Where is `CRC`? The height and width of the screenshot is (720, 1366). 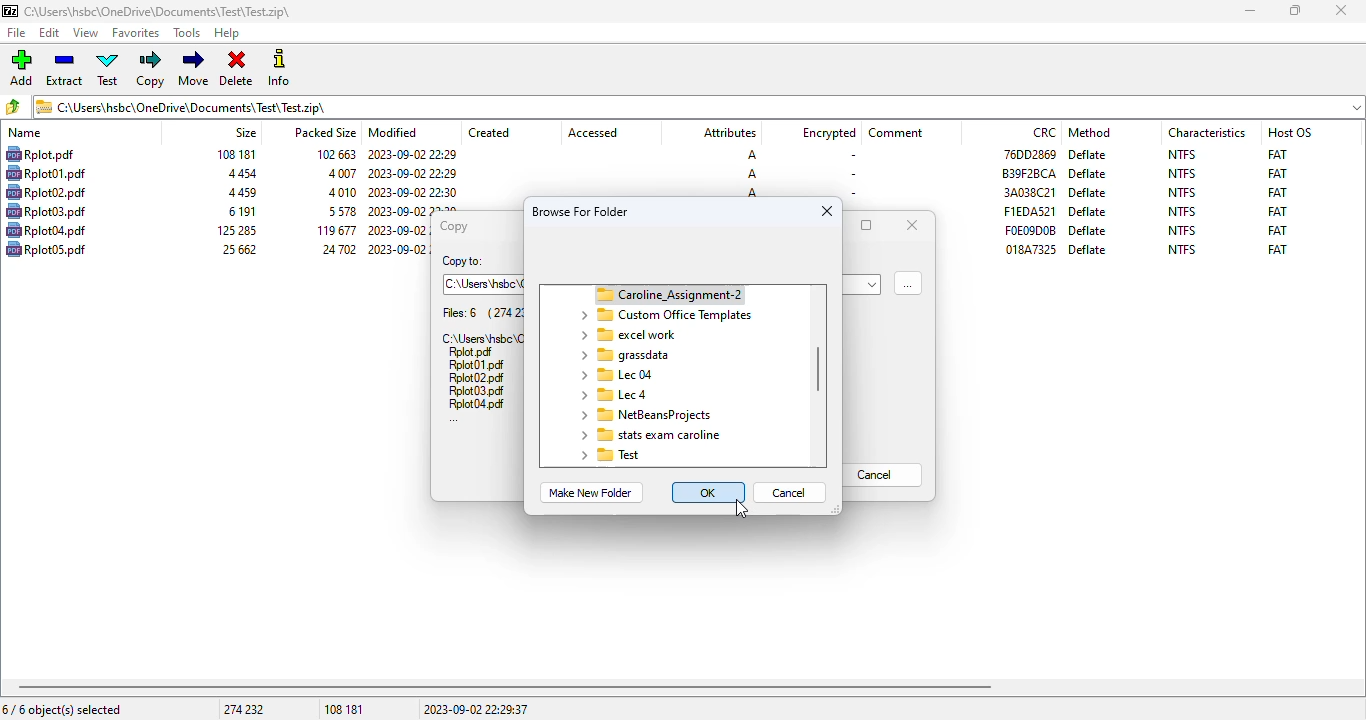
CRC is located at coordinates (1028, 153).